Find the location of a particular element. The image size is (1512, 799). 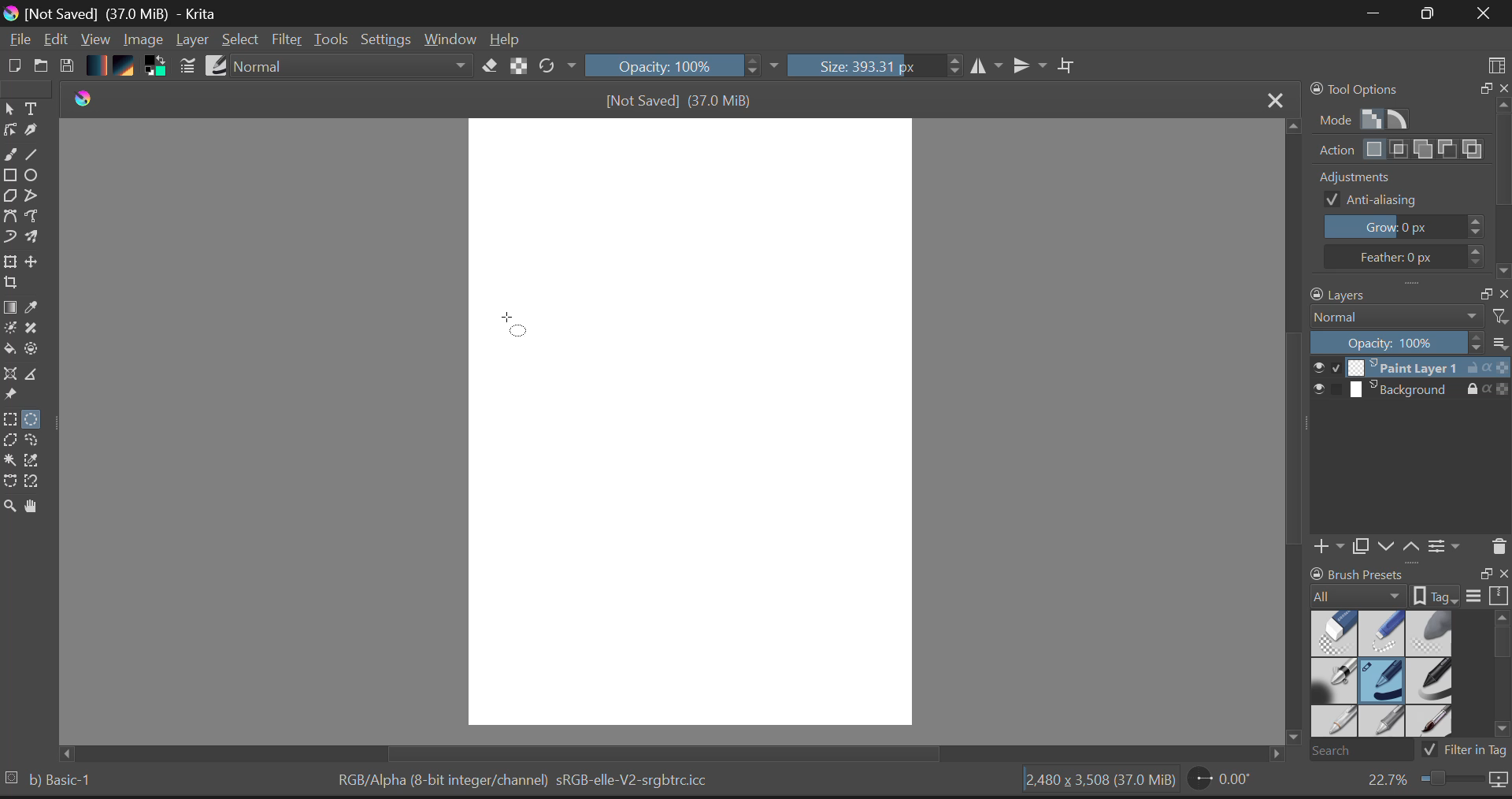

Freehand Selection is located at coordinates (41, 442).